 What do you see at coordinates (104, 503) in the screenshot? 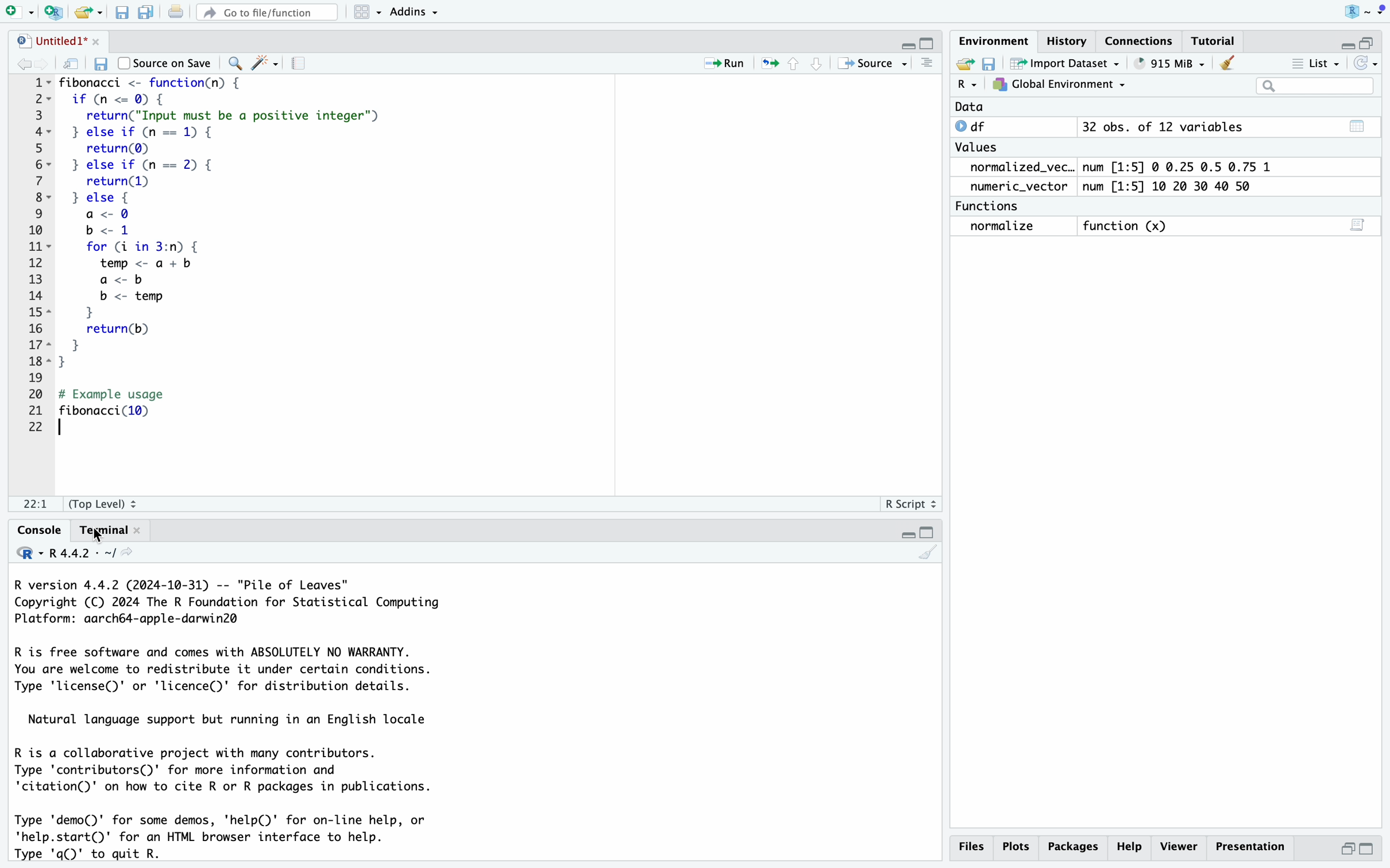
I see `(Top level)` at bounding box center [104, 503].